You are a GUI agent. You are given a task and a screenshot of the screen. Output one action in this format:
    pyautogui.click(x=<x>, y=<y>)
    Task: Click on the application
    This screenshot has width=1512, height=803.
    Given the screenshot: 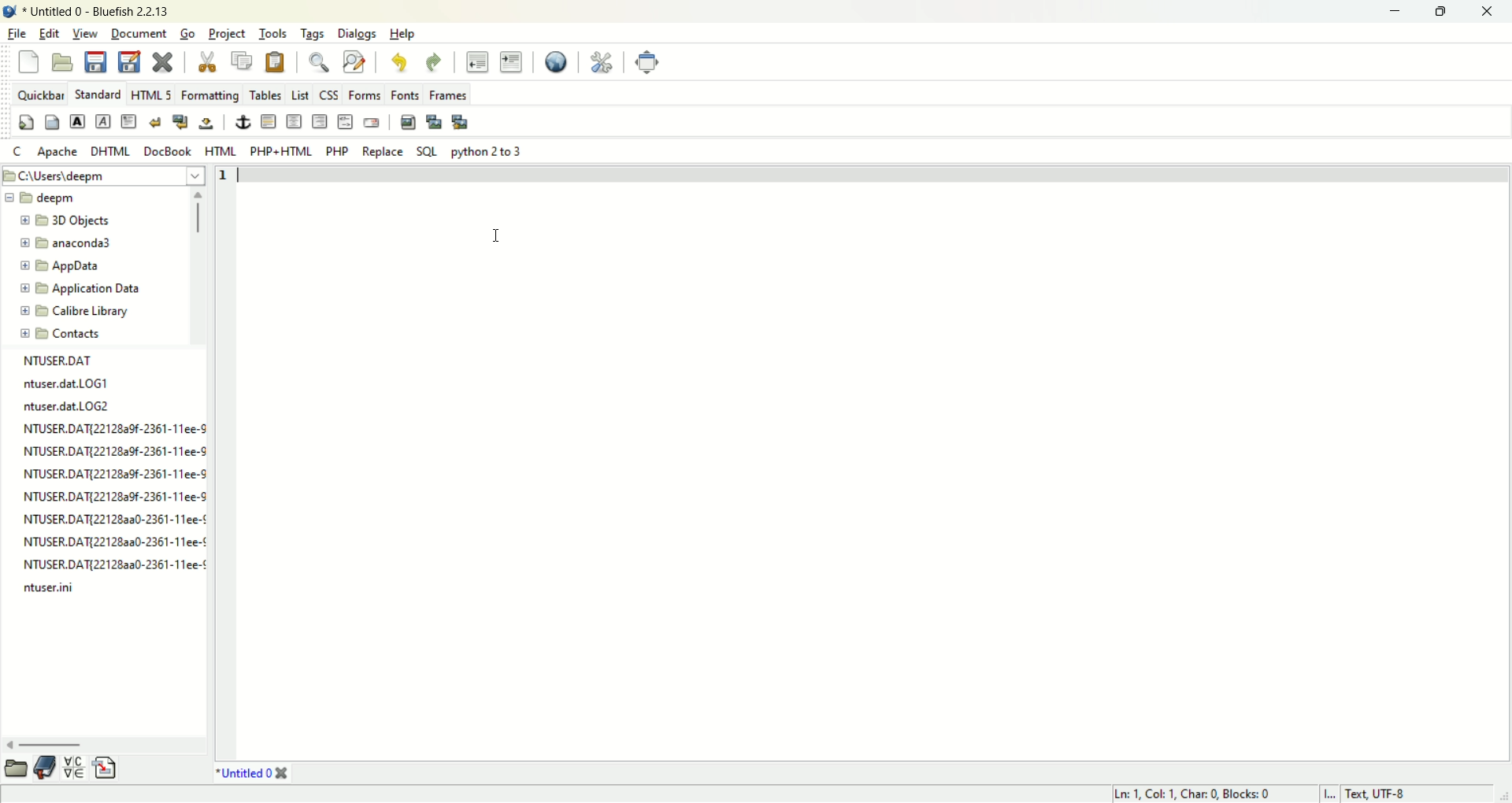 What is the action you would take?
    pyautogui.click(x=84, y=290)
    